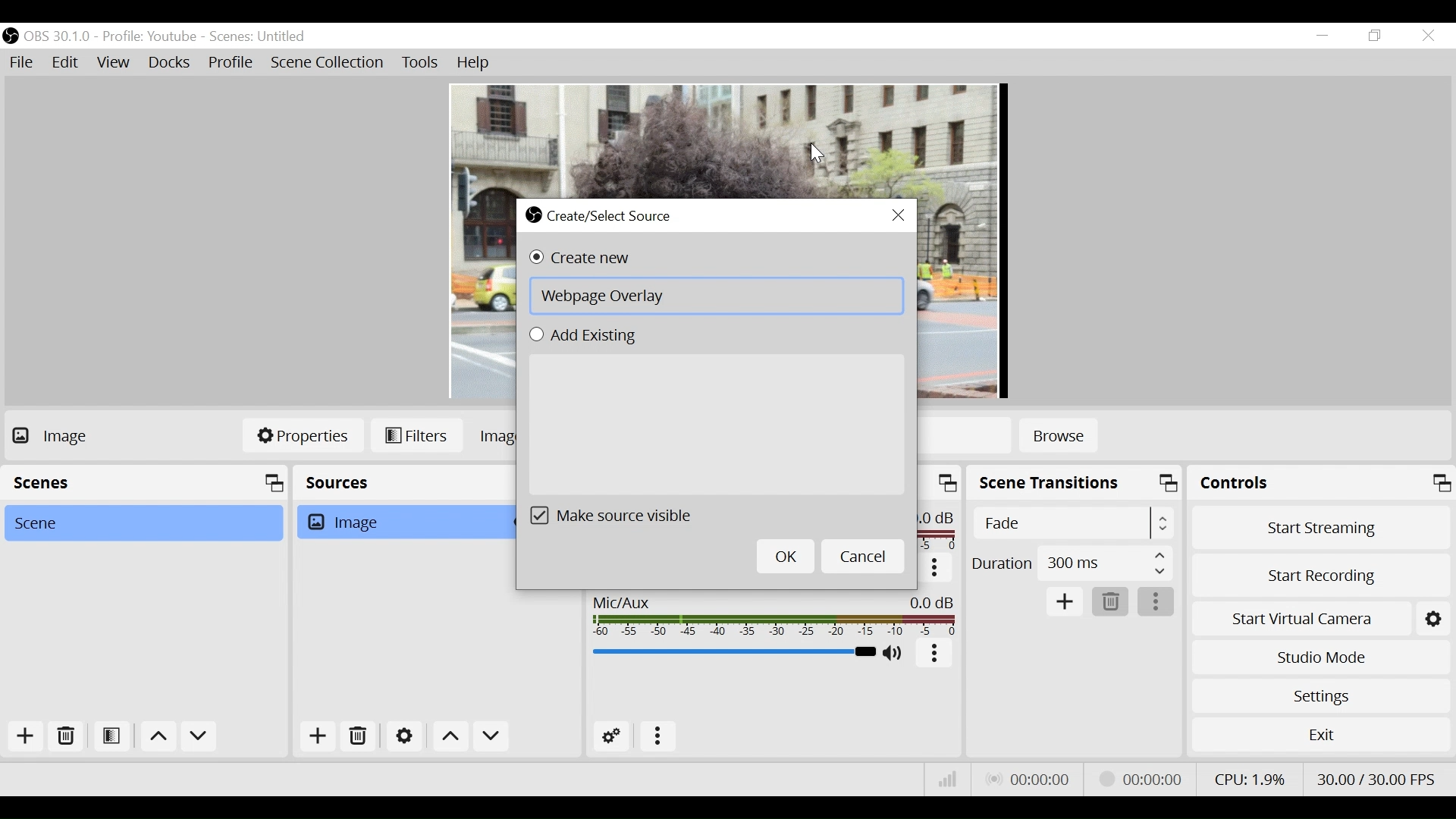 This screenshot has height=819, width=1456. Describe the element at coordinates (937, 656) in the screenshot. I see `More Options` at that location.